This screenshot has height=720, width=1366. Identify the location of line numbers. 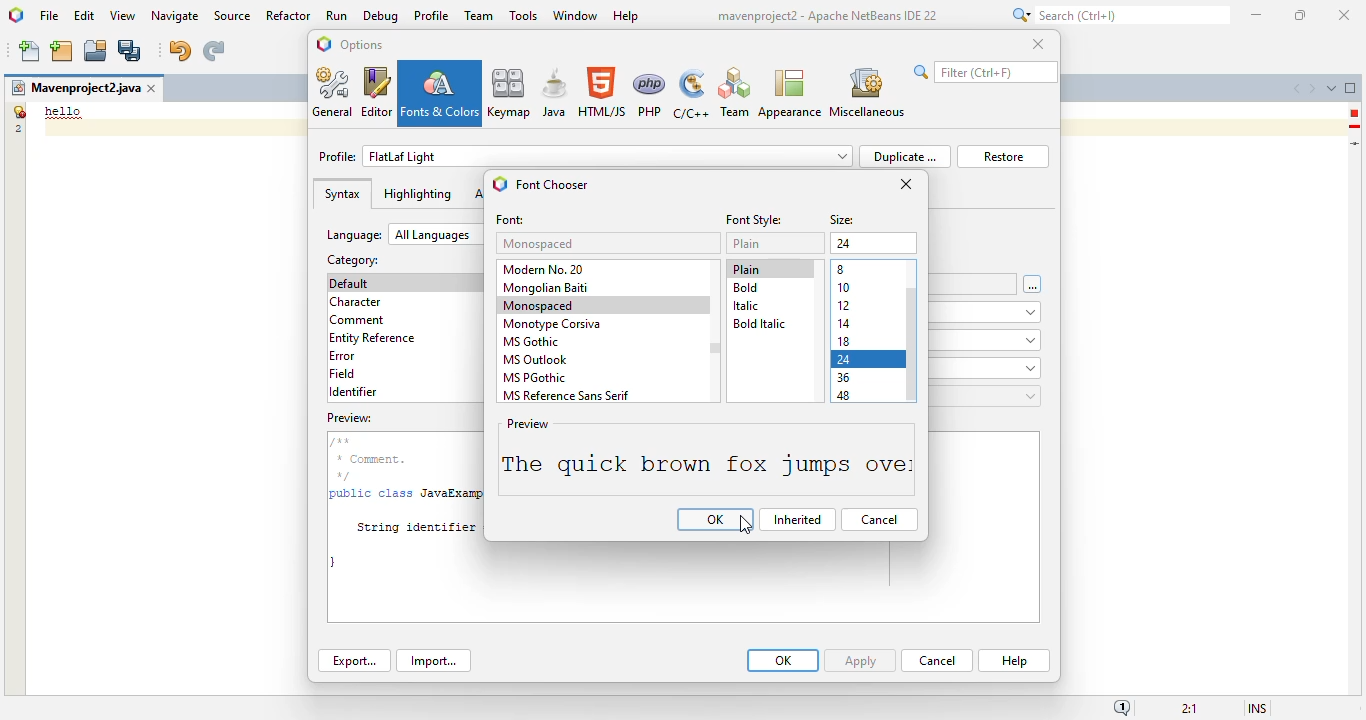
(17, 119).